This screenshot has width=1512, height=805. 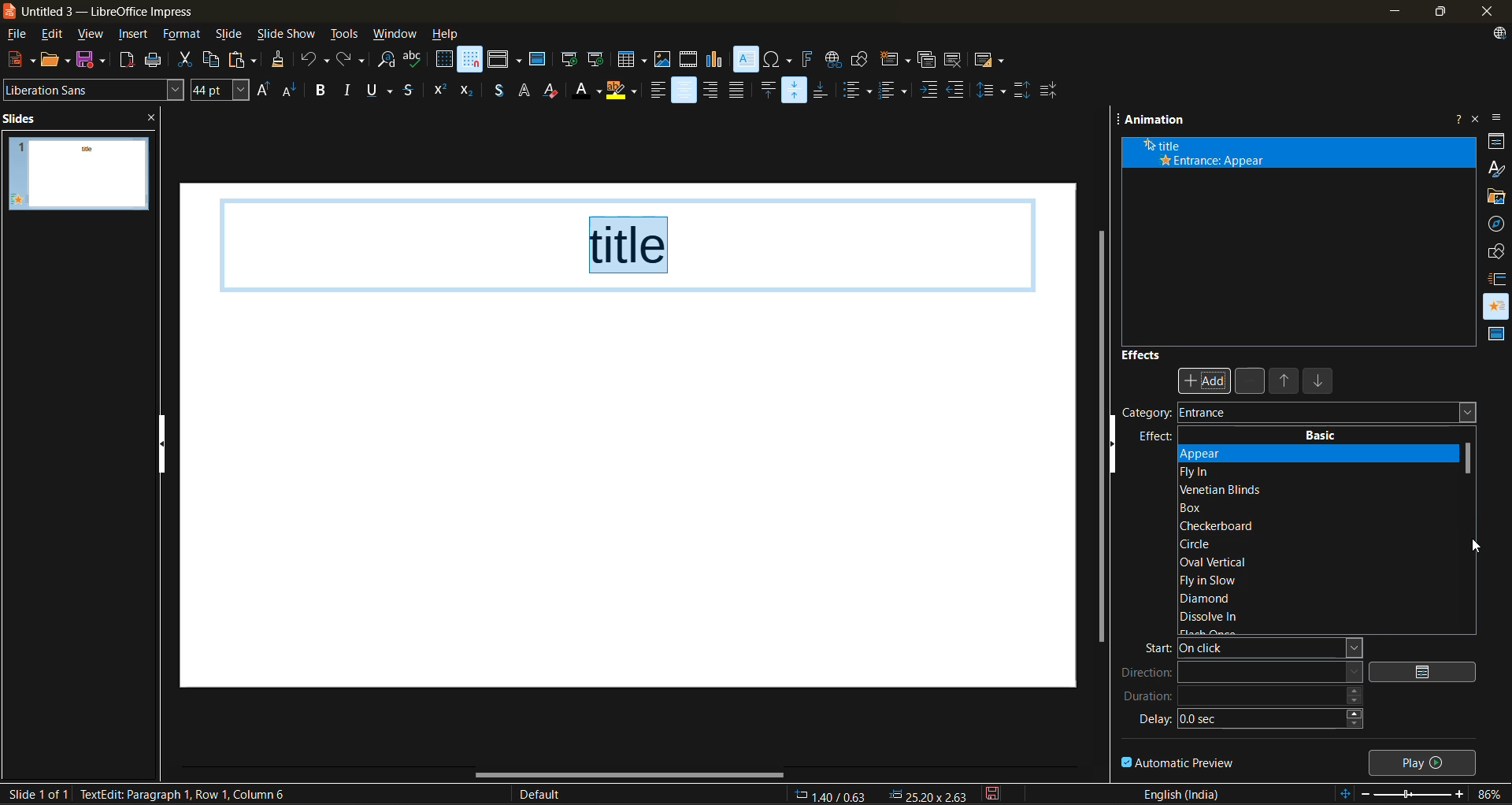 What do you see at coordinates (447, 35) in the screenshot?
I see `help` at bounding box center [447, 35].